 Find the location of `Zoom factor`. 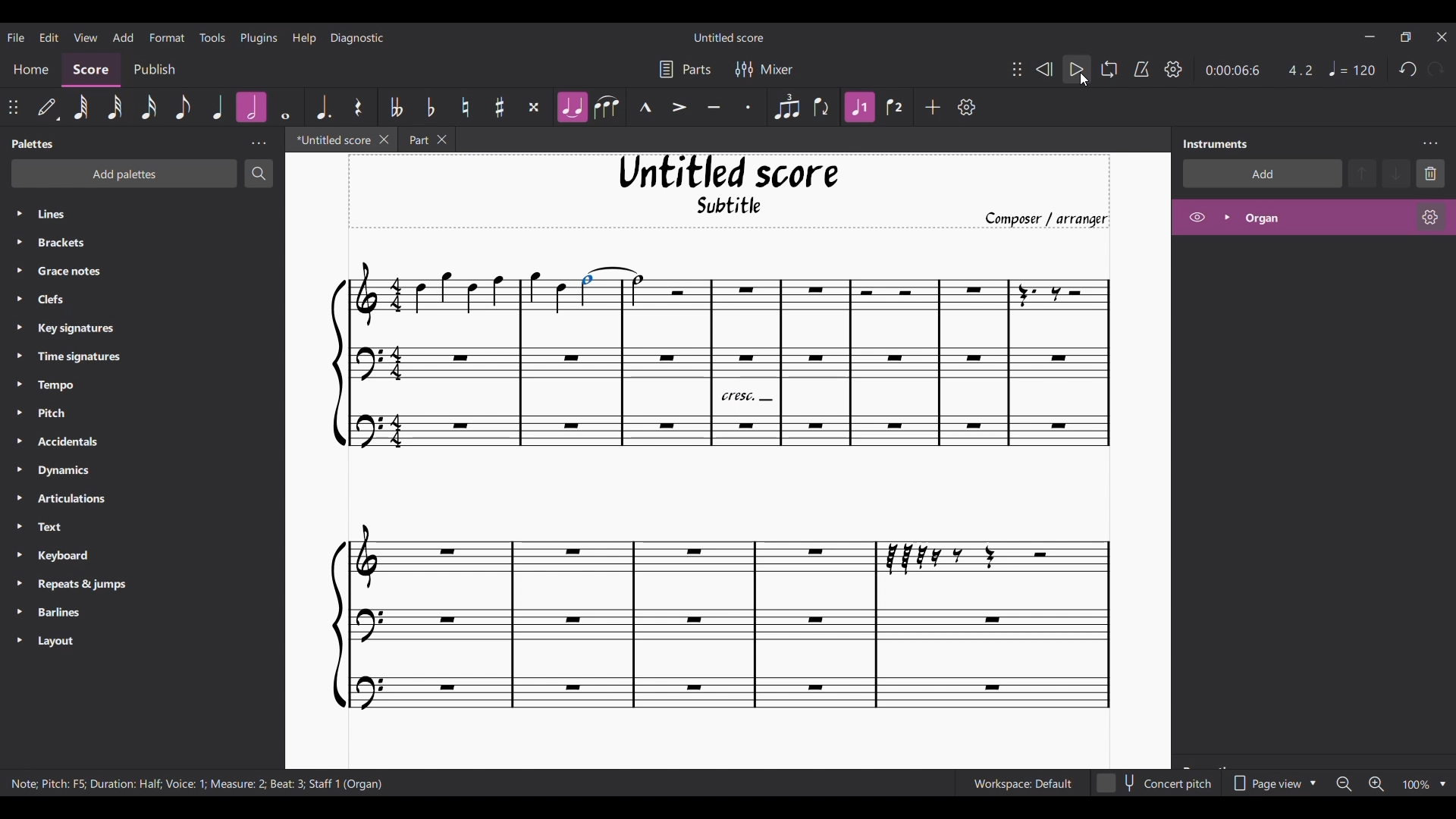

Zoom factor is located at coordinates (1416, 785).